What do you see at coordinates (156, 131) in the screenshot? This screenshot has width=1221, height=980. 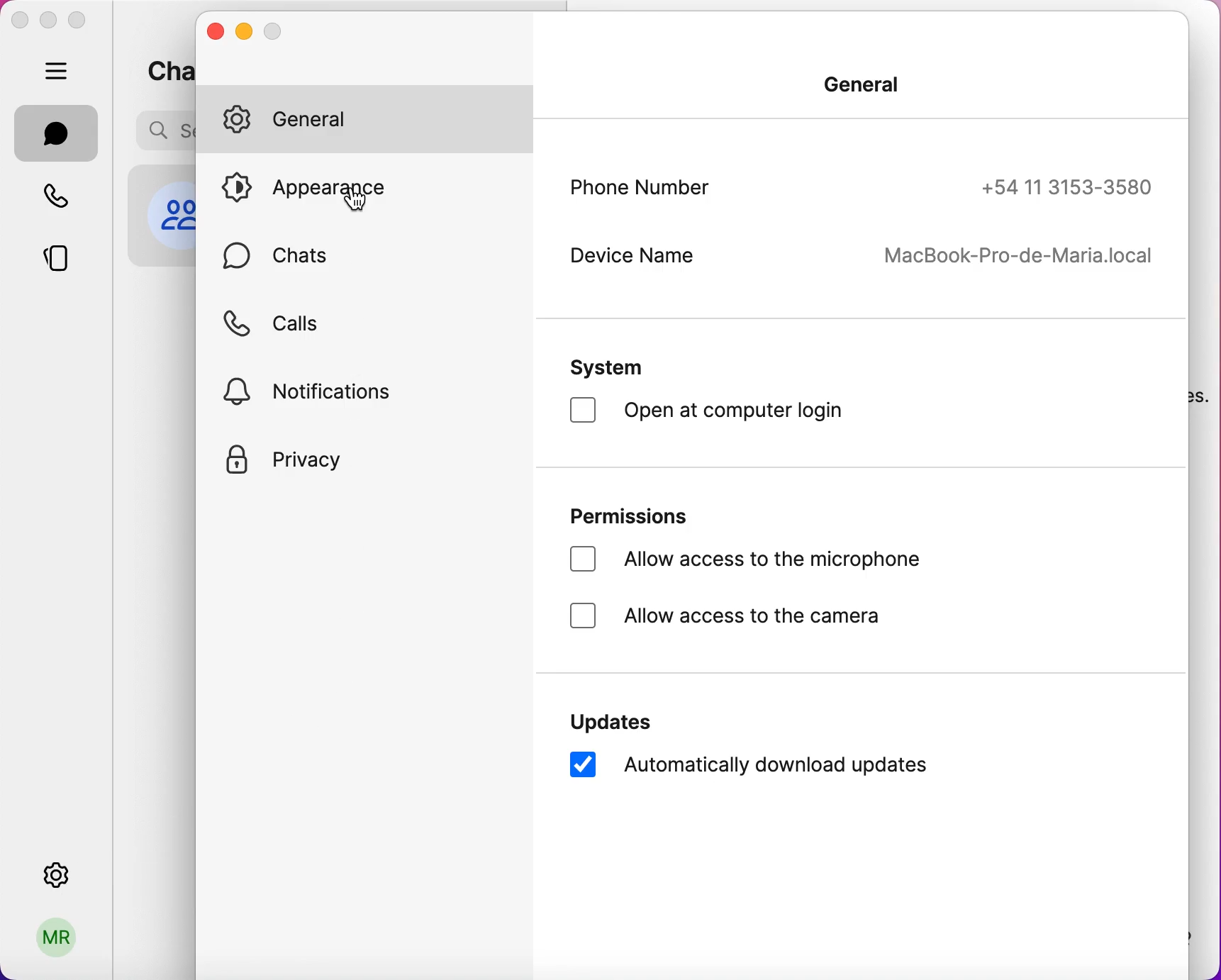 I see `search` at bounding box center [156, 131].